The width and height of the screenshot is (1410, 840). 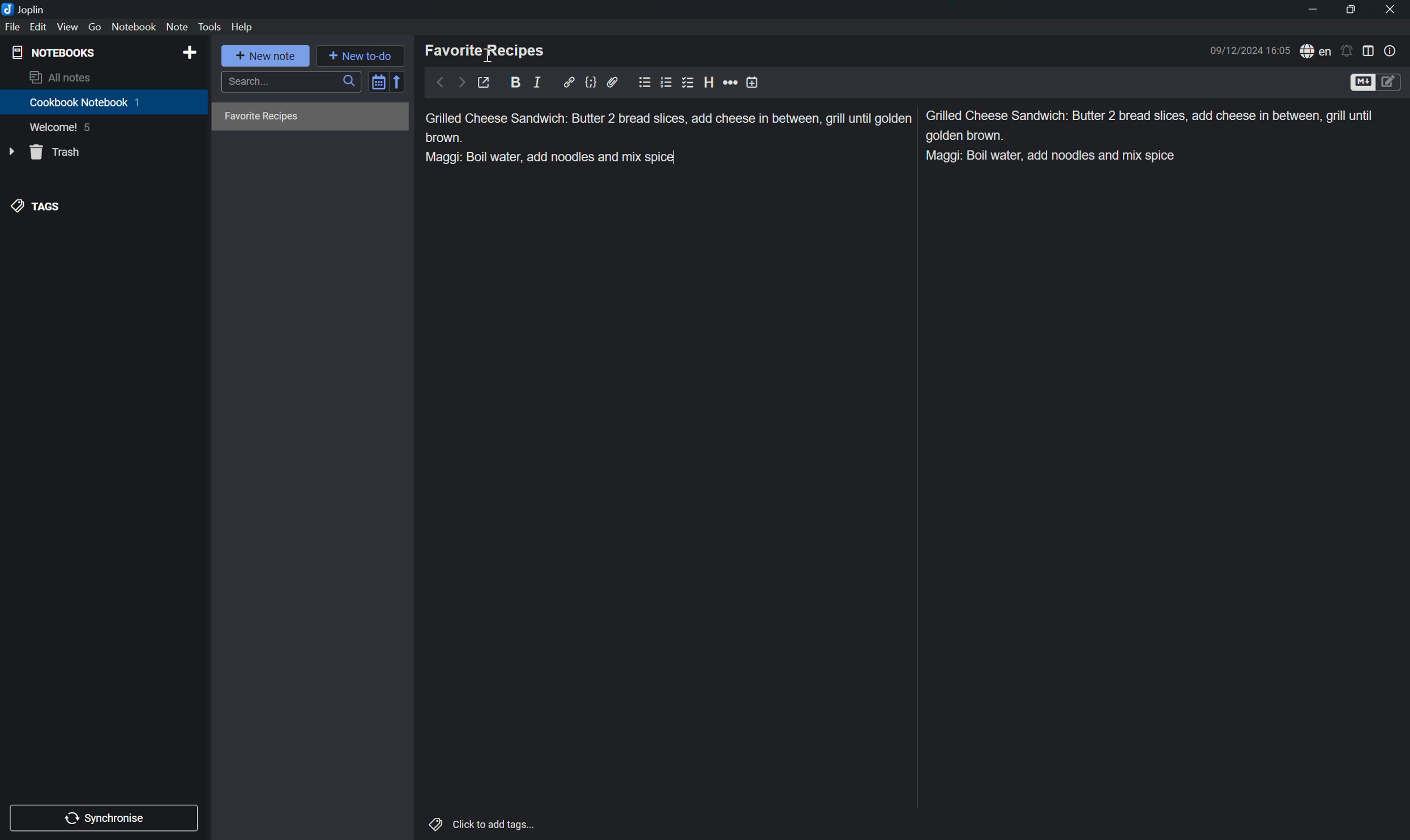 What do you see at coordinates (1317, 50) in the screenshot?
I see `Spell checker` at bounding box center [1317, 50].